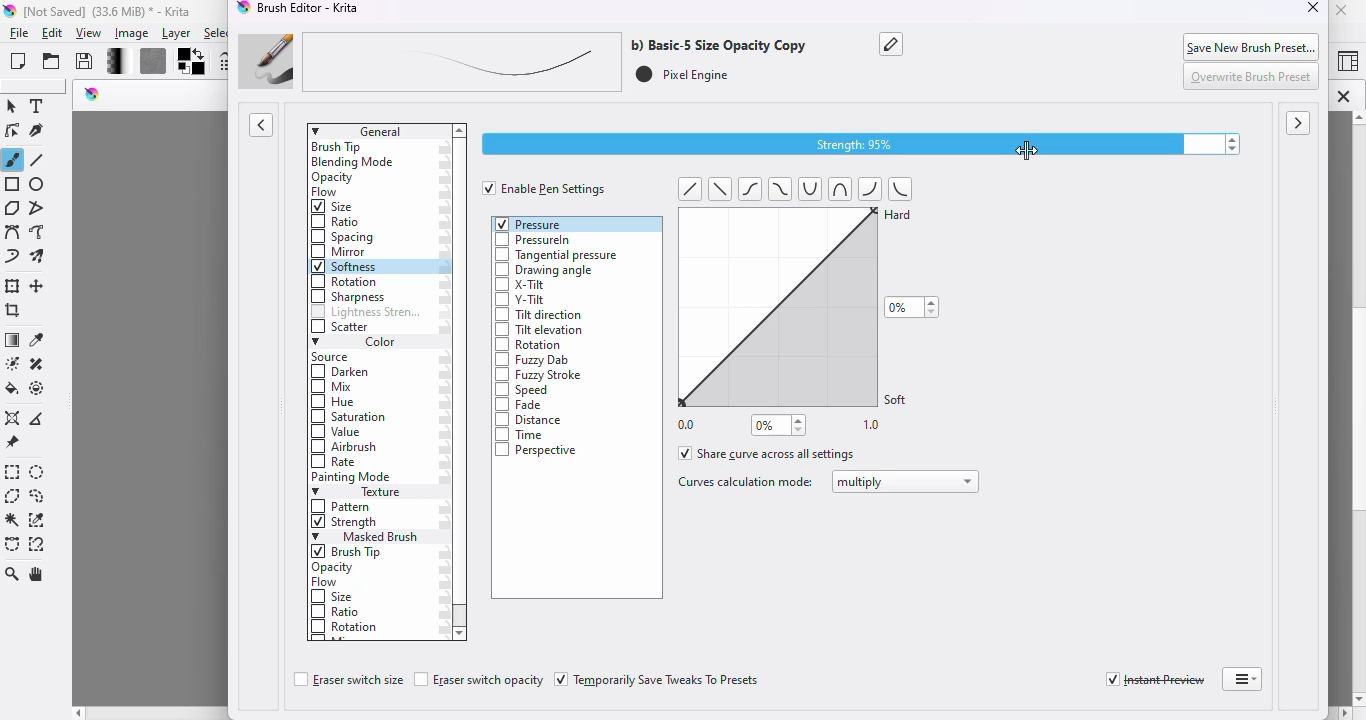  What do you see at coordinates (38, 520) in the screenshot?
I see `similar color selection tool` at bounding box center [38, 520].